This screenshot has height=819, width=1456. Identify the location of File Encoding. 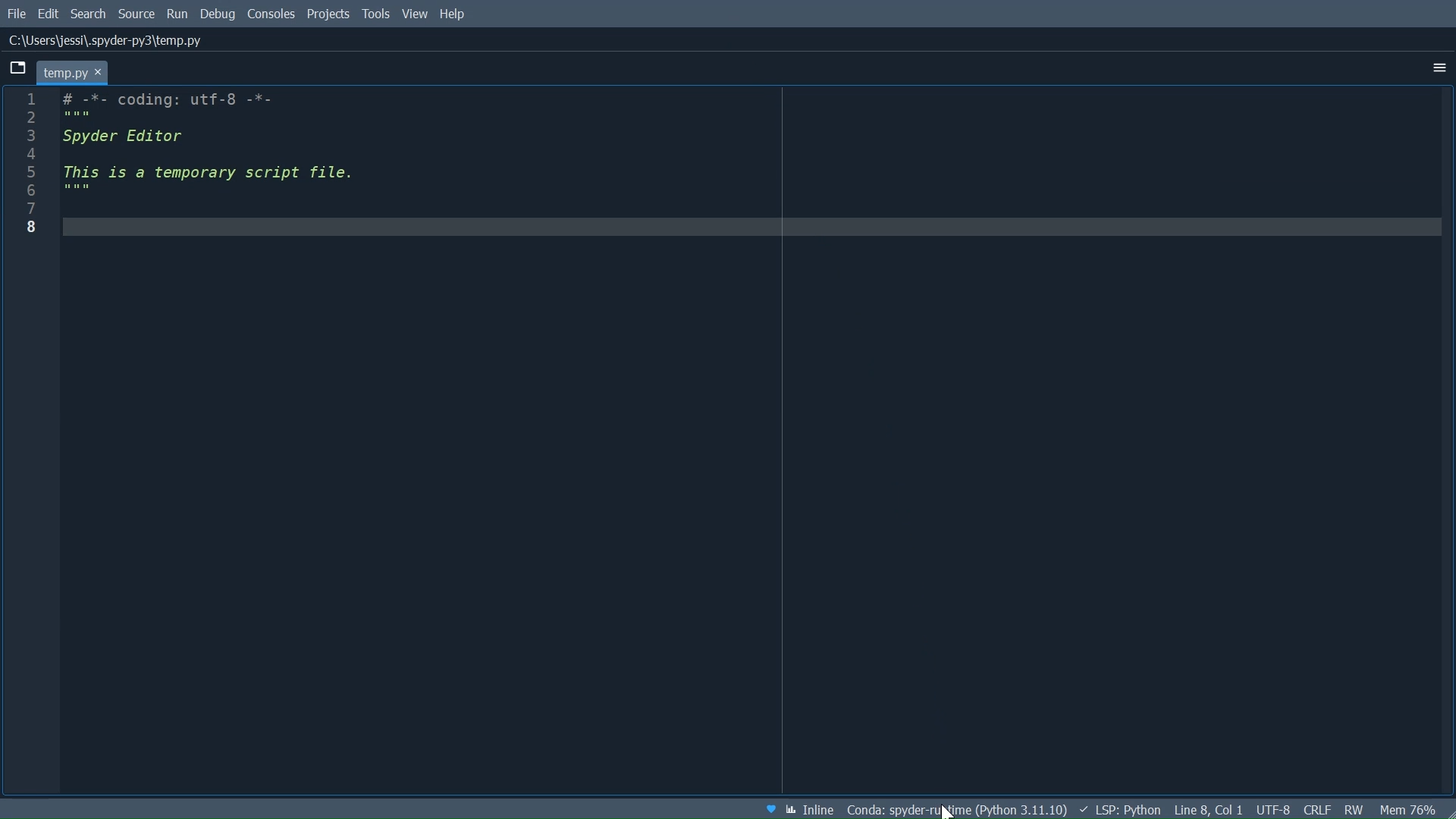
(1272, 808).